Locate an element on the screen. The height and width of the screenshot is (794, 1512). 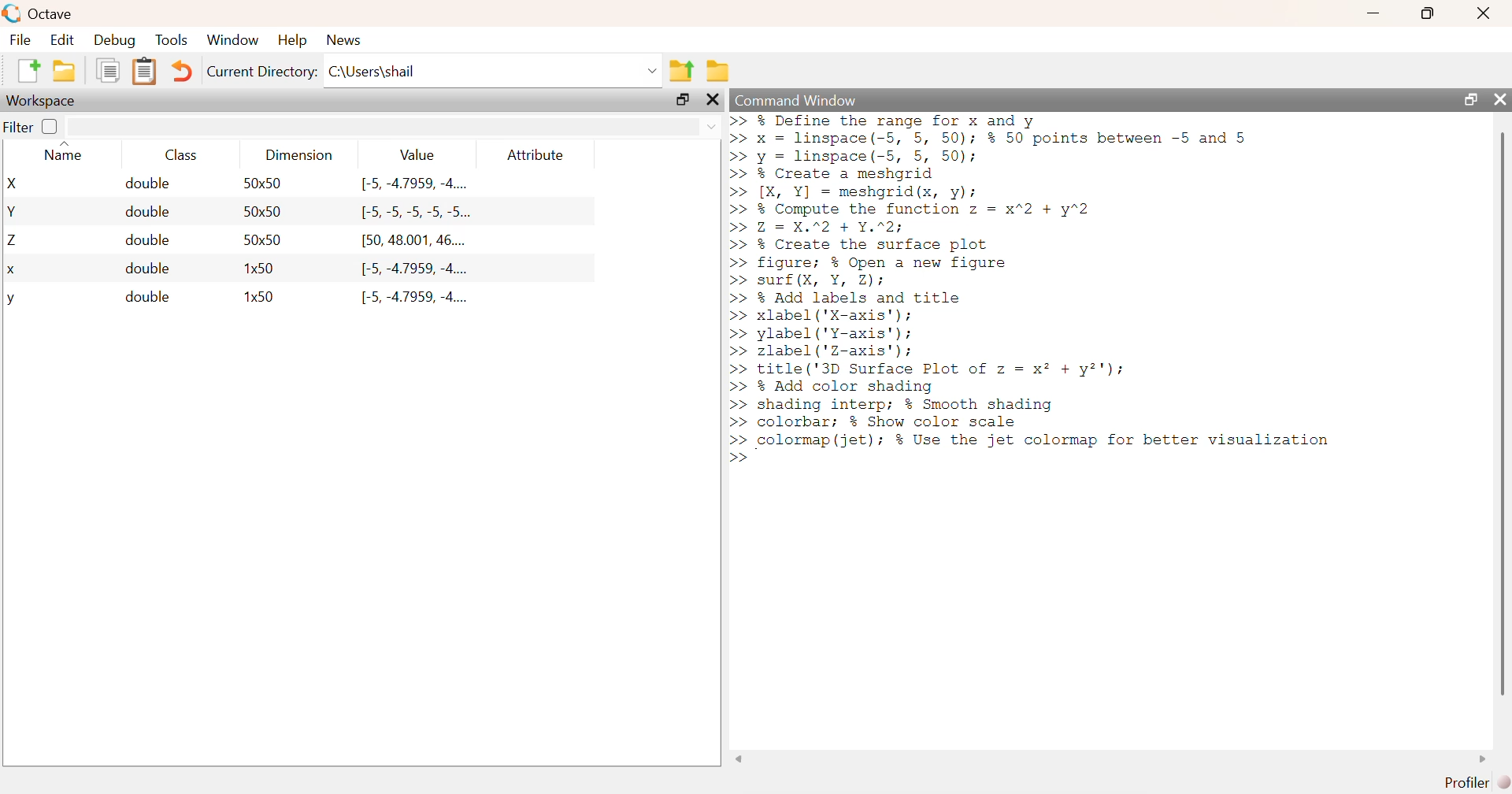
maximize is located at coordinates (683, 99).